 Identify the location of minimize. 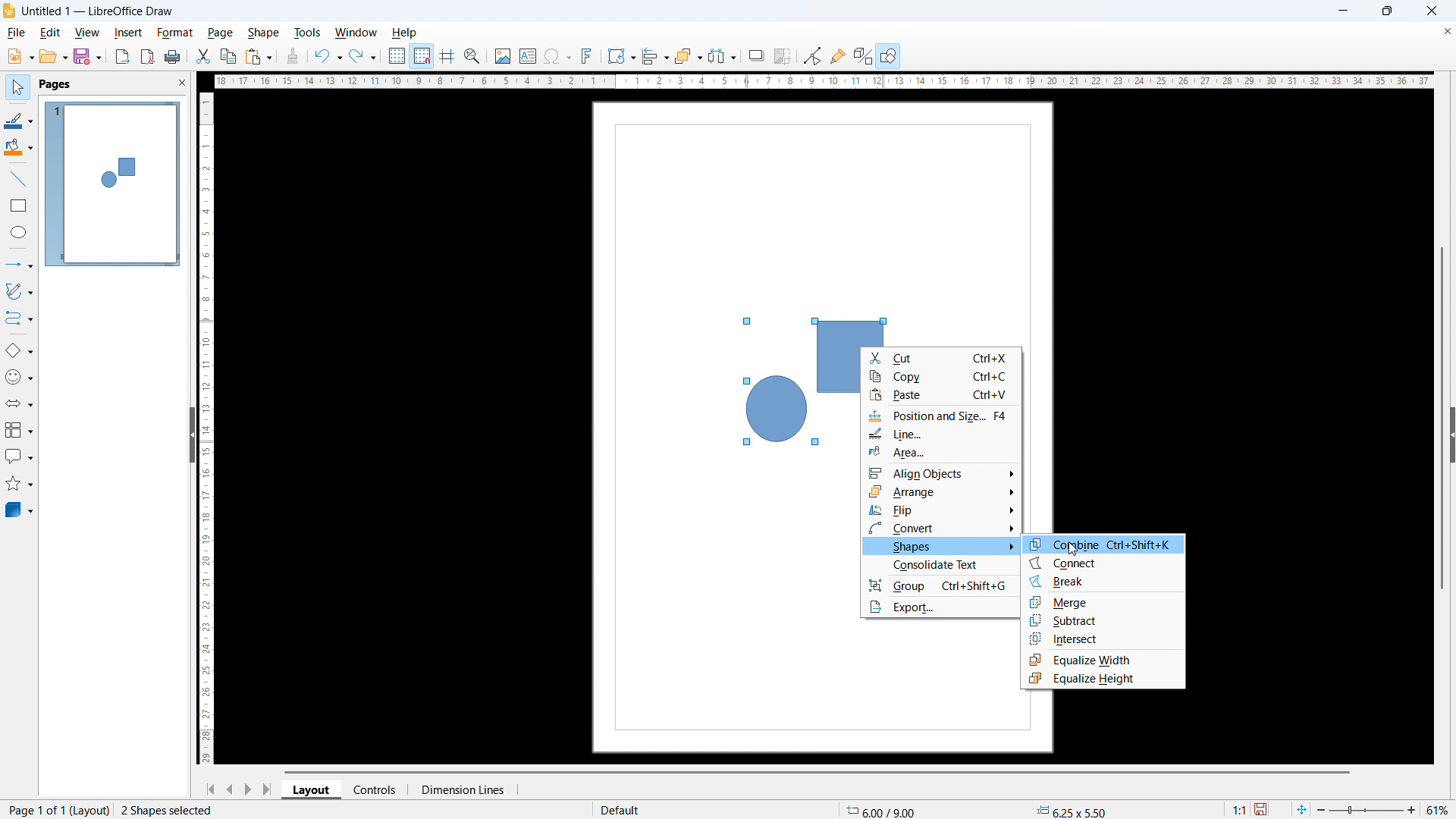
(1341, 11).